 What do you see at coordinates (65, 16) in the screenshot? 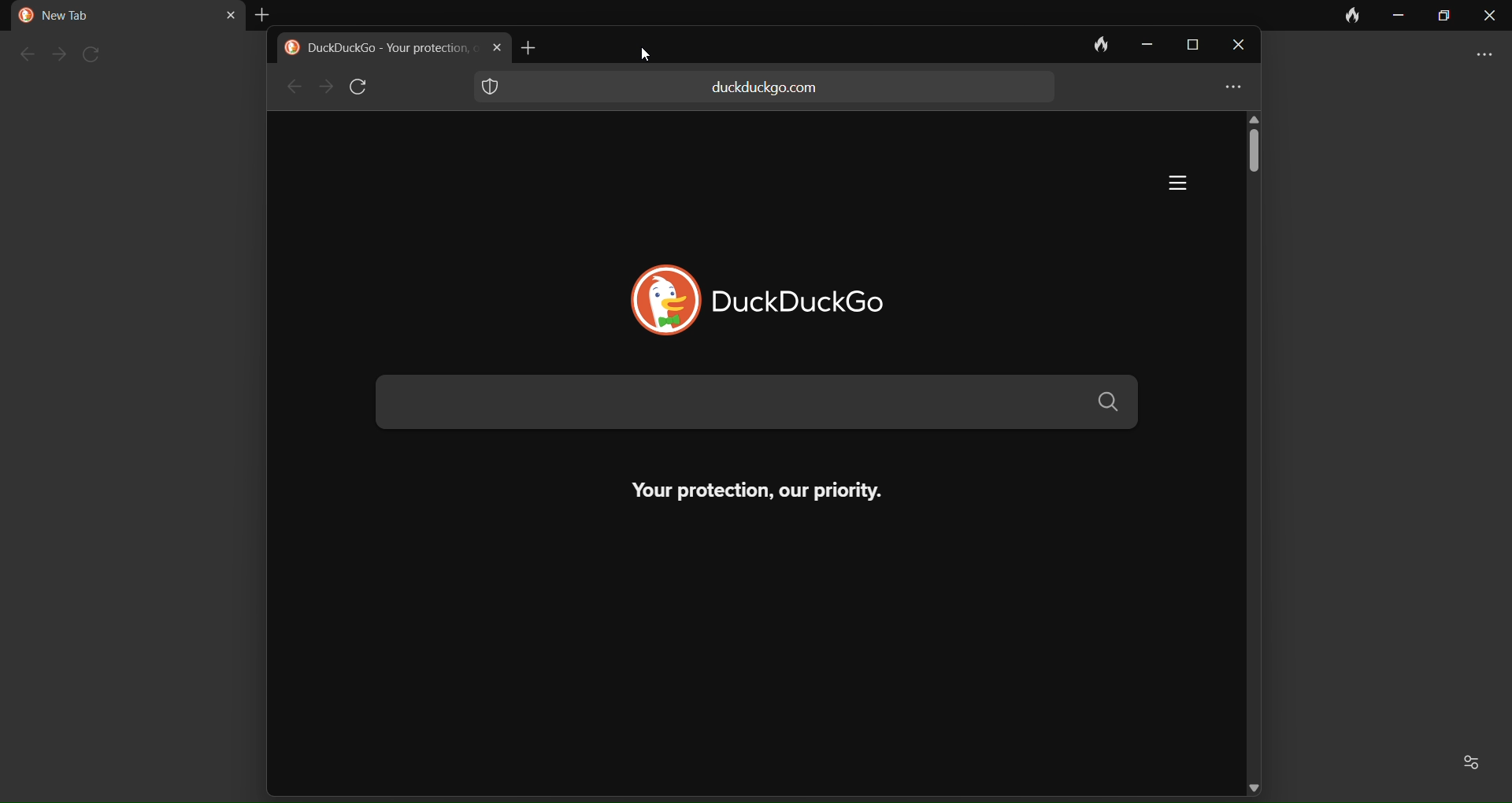
I see `New Tab` at bounding box center [65, 16].